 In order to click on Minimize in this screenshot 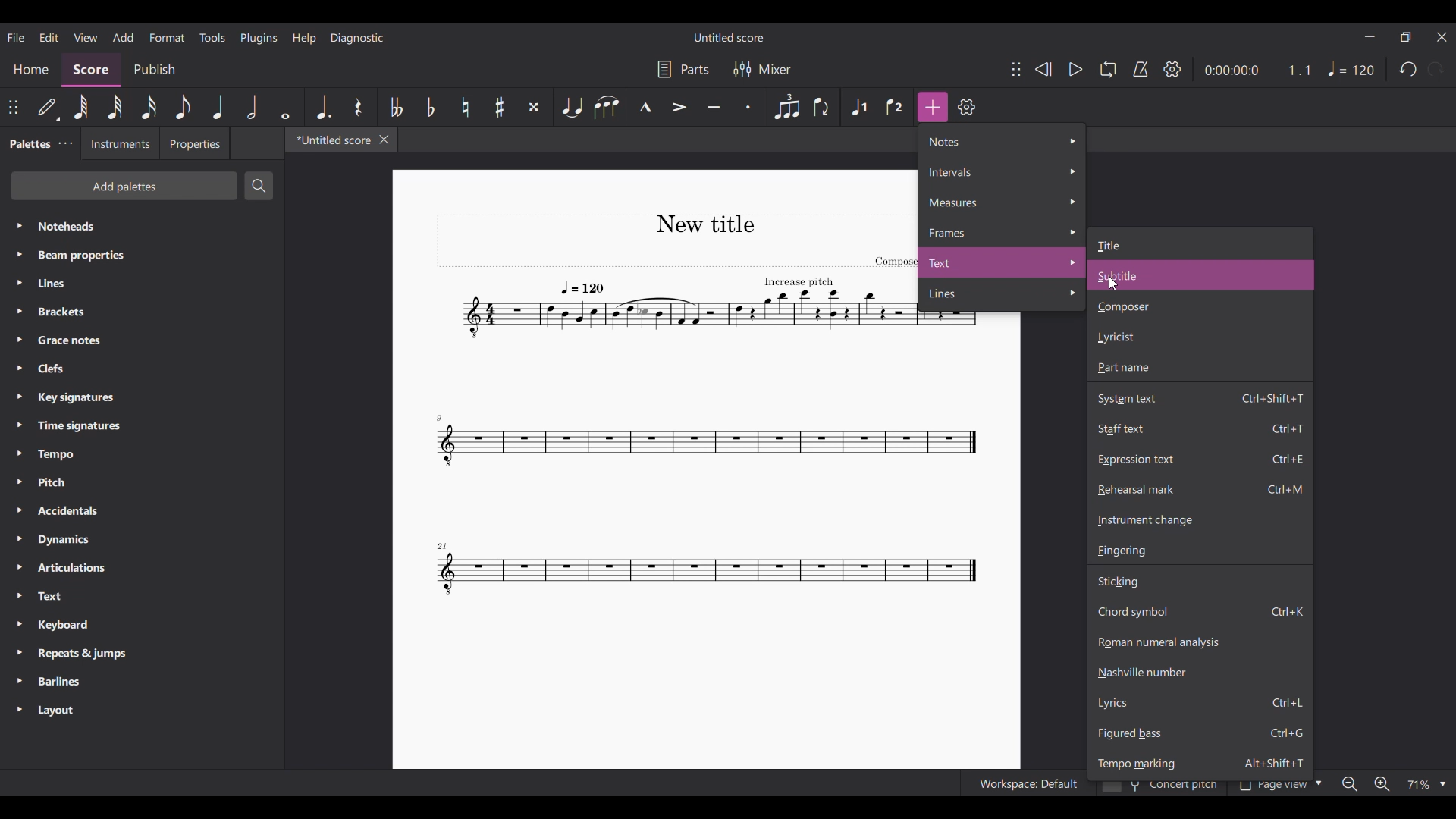, I will do `click(1370, 36)`.